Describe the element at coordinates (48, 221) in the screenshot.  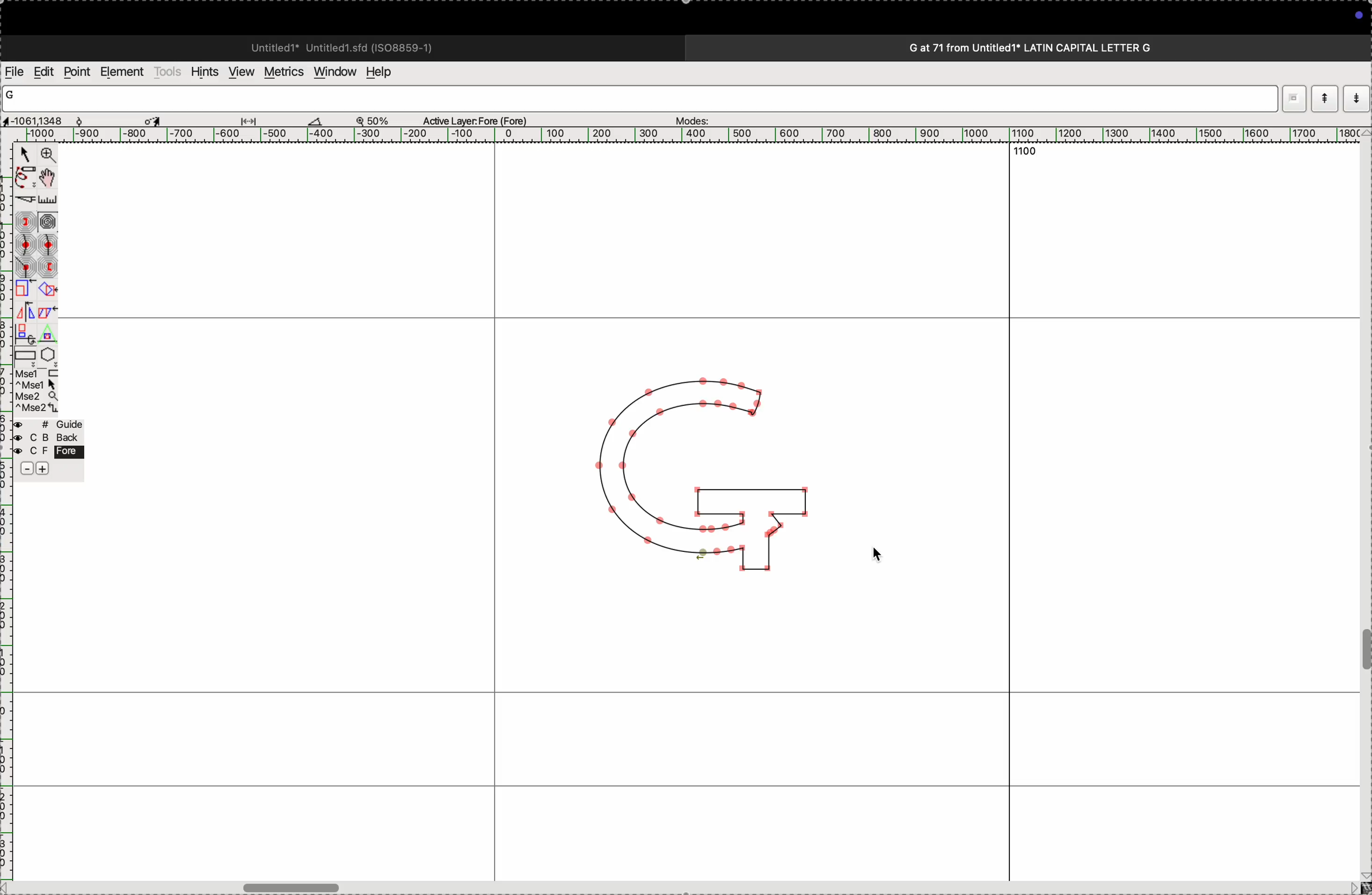
I see `spiro` at that location.